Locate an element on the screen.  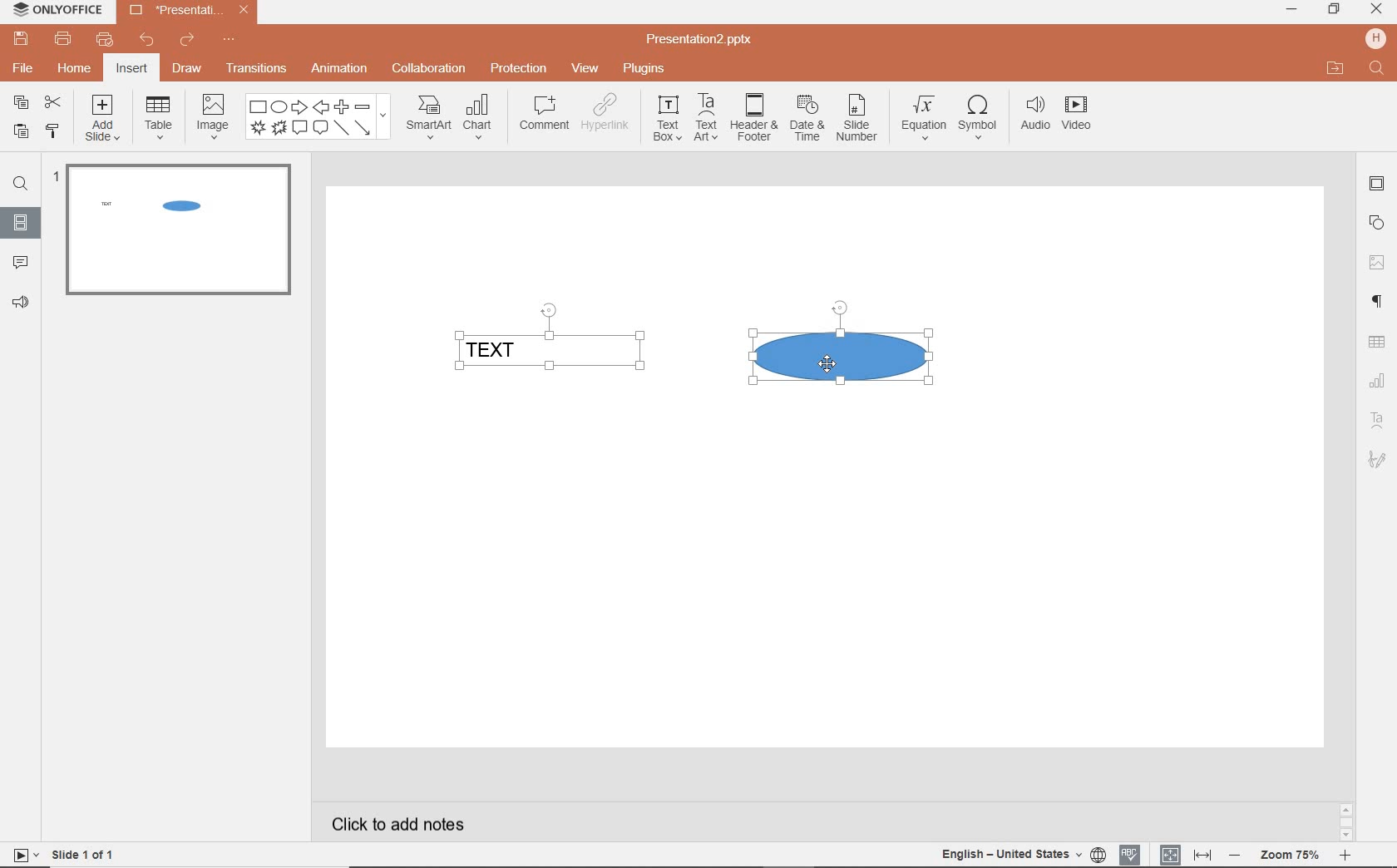
OPEN FILE LOCATION is located at coordinates (1333, 66).